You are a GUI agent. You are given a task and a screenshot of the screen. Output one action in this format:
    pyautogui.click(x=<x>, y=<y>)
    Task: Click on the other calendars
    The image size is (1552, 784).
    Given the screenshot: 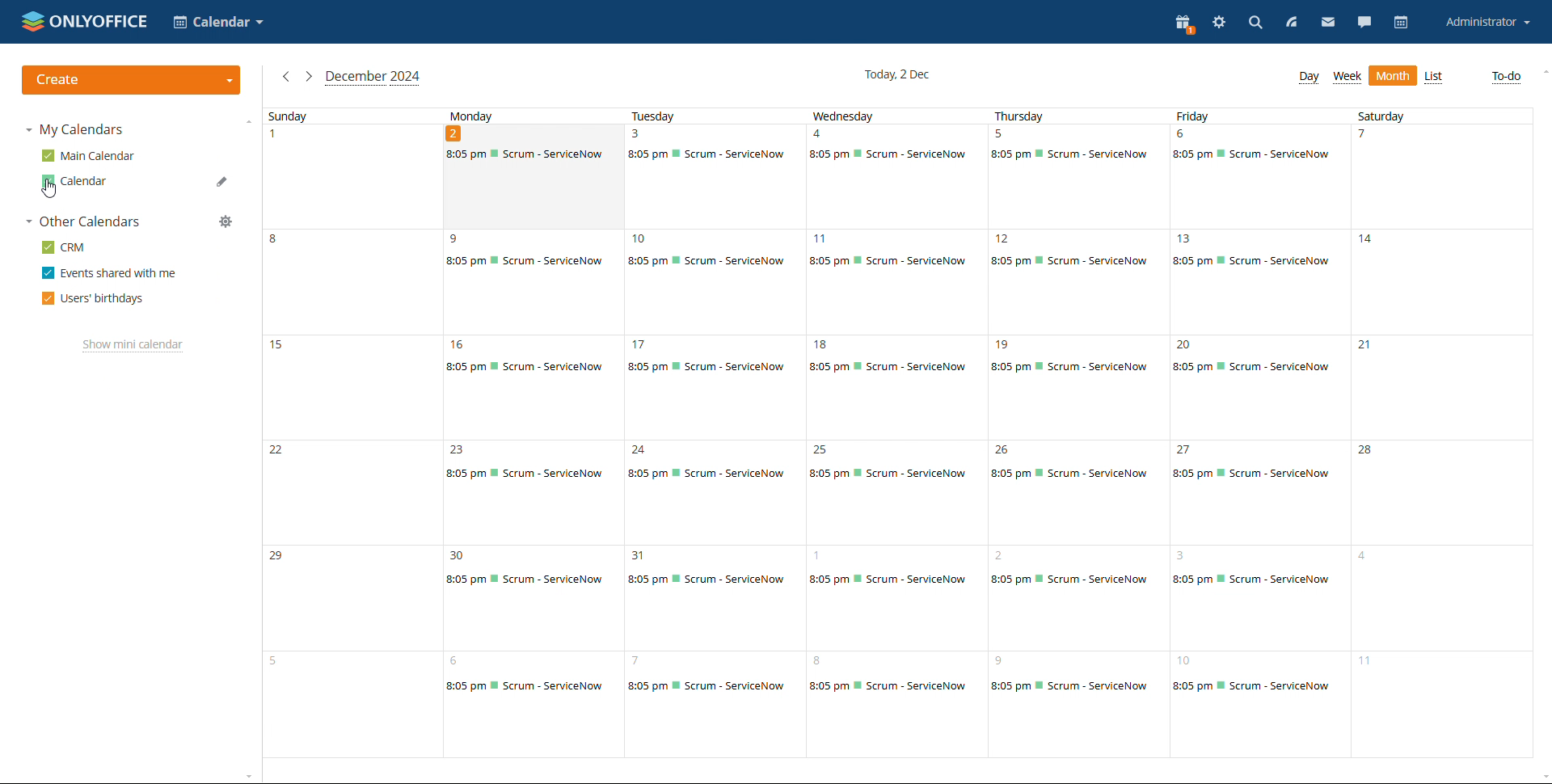 What is the action you would take?
    pyautogui.click(x=82, y=221)
    